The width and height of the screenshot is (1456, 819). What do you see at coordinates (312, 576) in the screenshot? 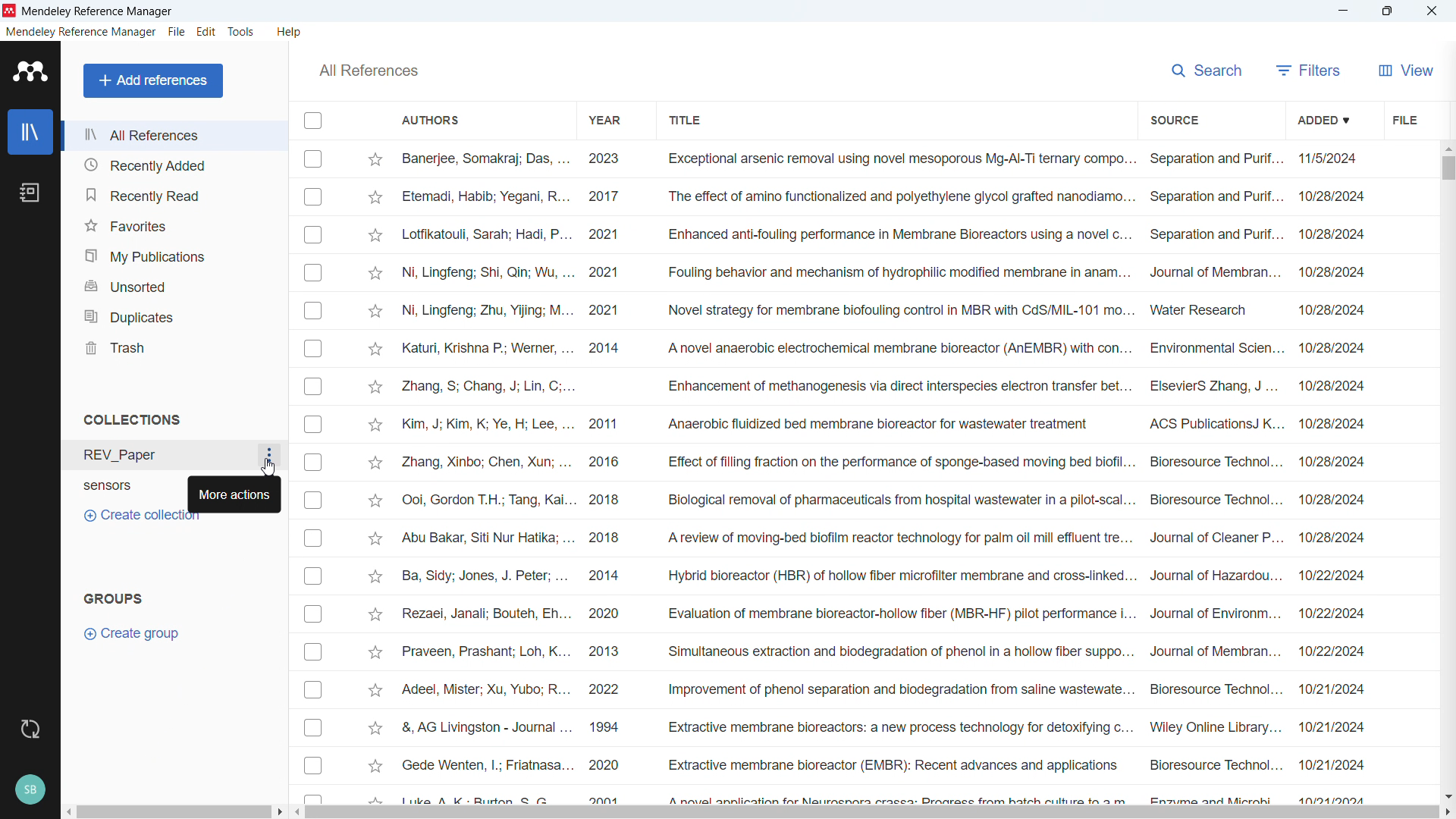
I see `Select respective publication` at bounding box center [312, 576].